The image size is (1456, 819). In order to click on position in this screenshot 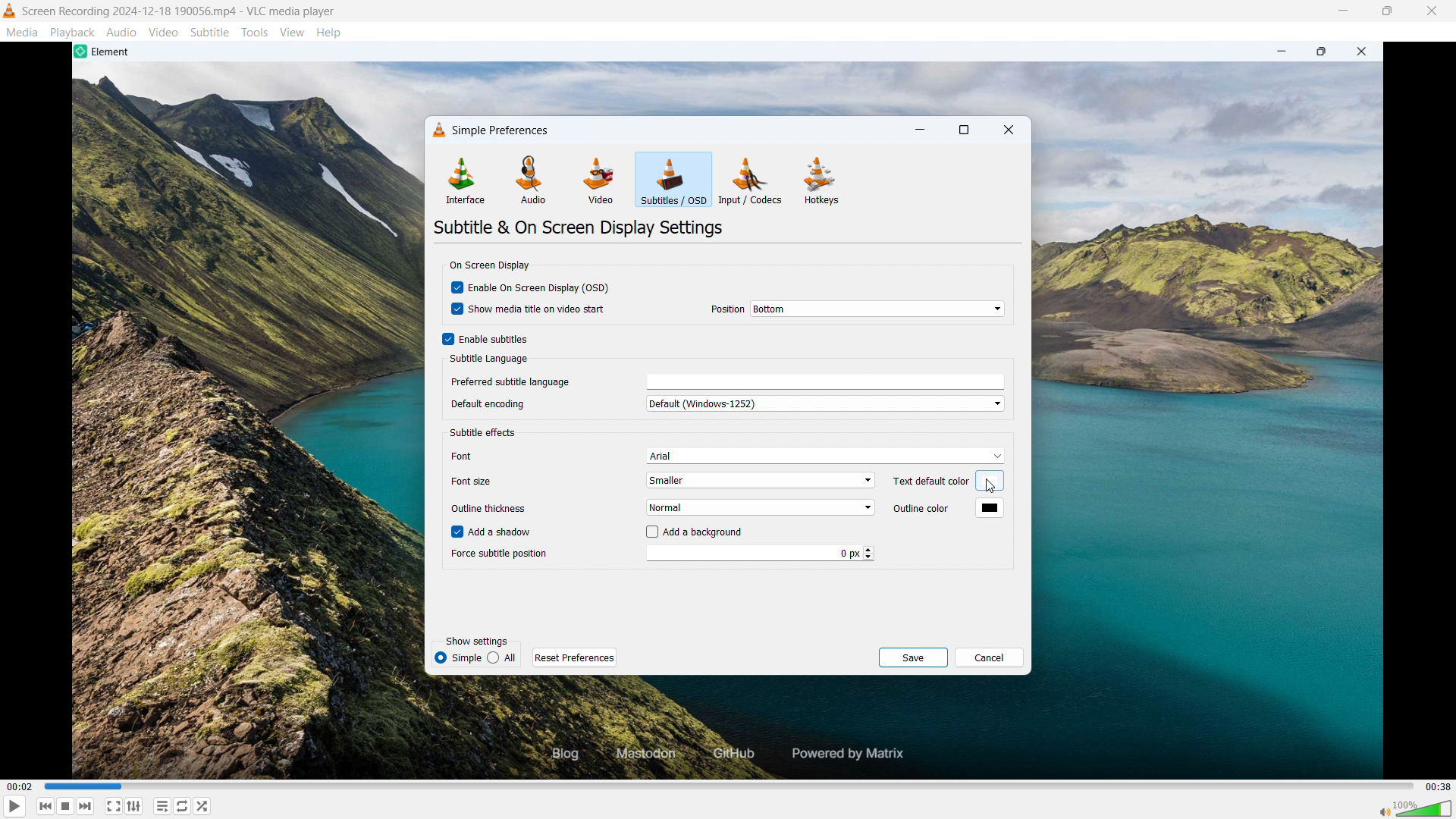, I will do `click(729, 308)`.